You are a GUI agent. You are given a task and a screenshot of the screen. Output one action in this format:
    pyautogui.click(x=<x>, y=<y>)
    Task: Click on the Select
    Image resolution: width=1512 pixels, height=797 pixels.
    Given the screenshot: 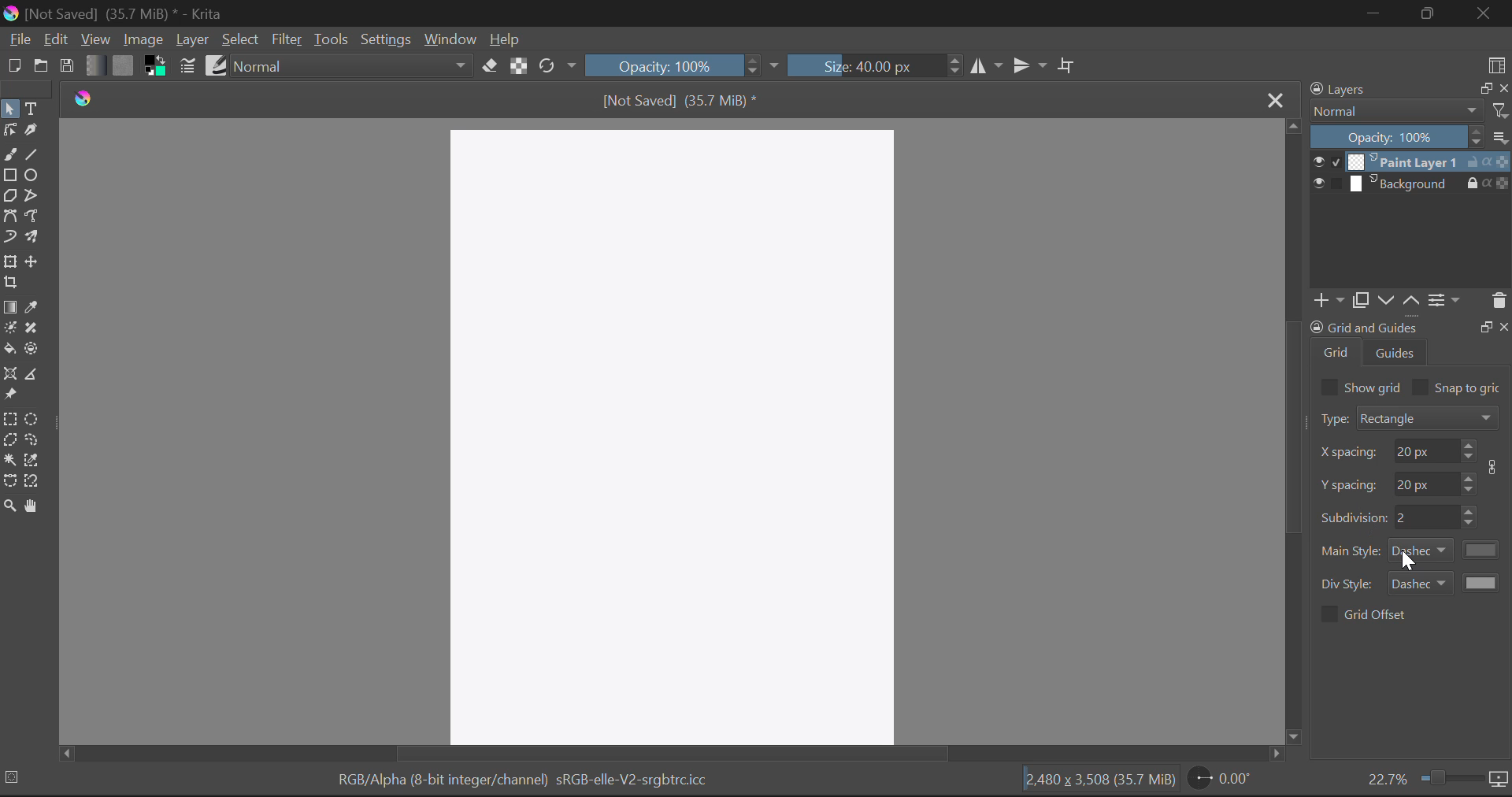 What is the action you would take?
    pyautogui.click(x=9, y=109)
    